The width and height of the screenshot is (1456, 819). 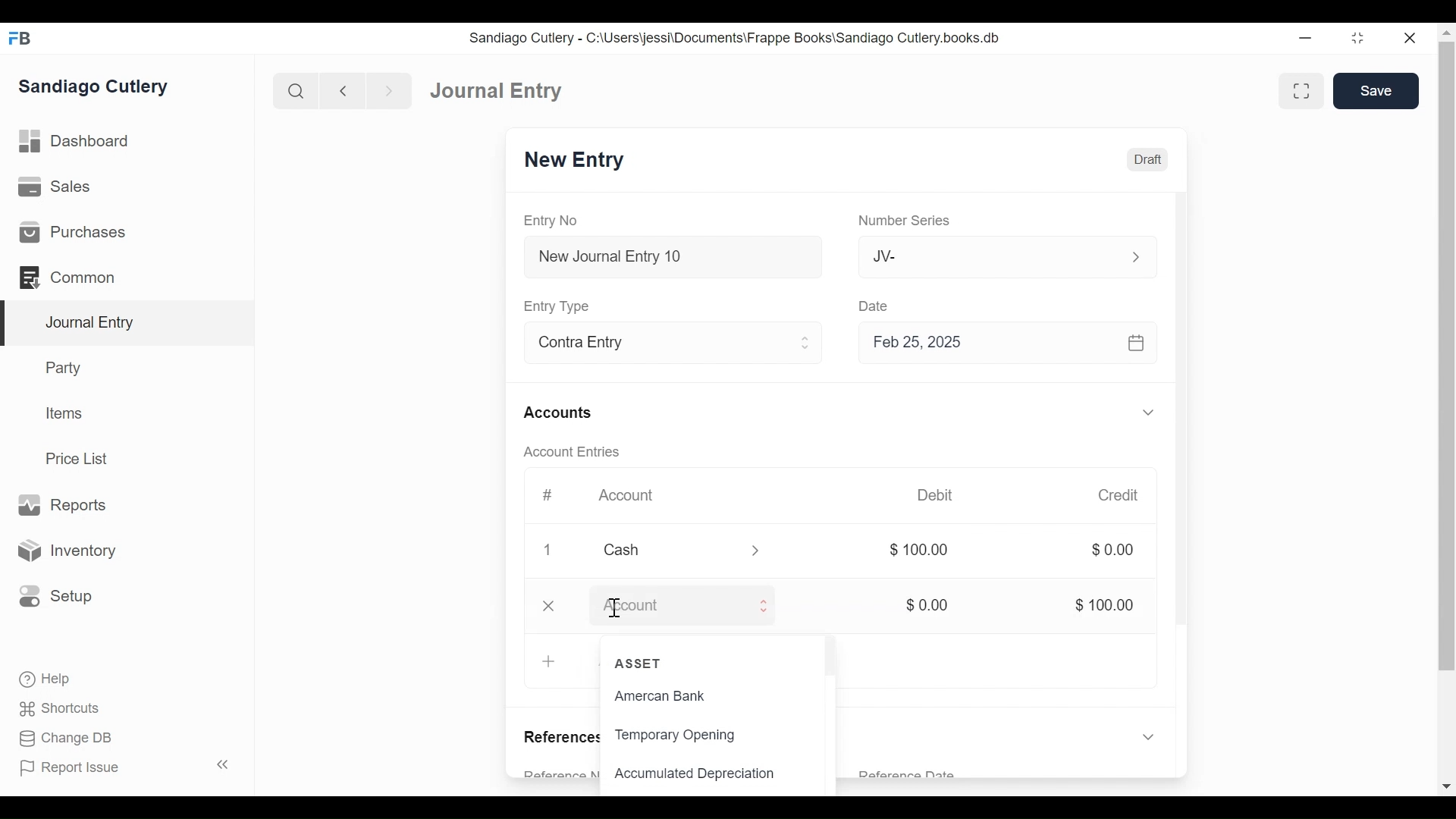 What do you see at coordinates (554, 219) in the screenshot?
I see `Entry No` at bounding box center [554, 219].